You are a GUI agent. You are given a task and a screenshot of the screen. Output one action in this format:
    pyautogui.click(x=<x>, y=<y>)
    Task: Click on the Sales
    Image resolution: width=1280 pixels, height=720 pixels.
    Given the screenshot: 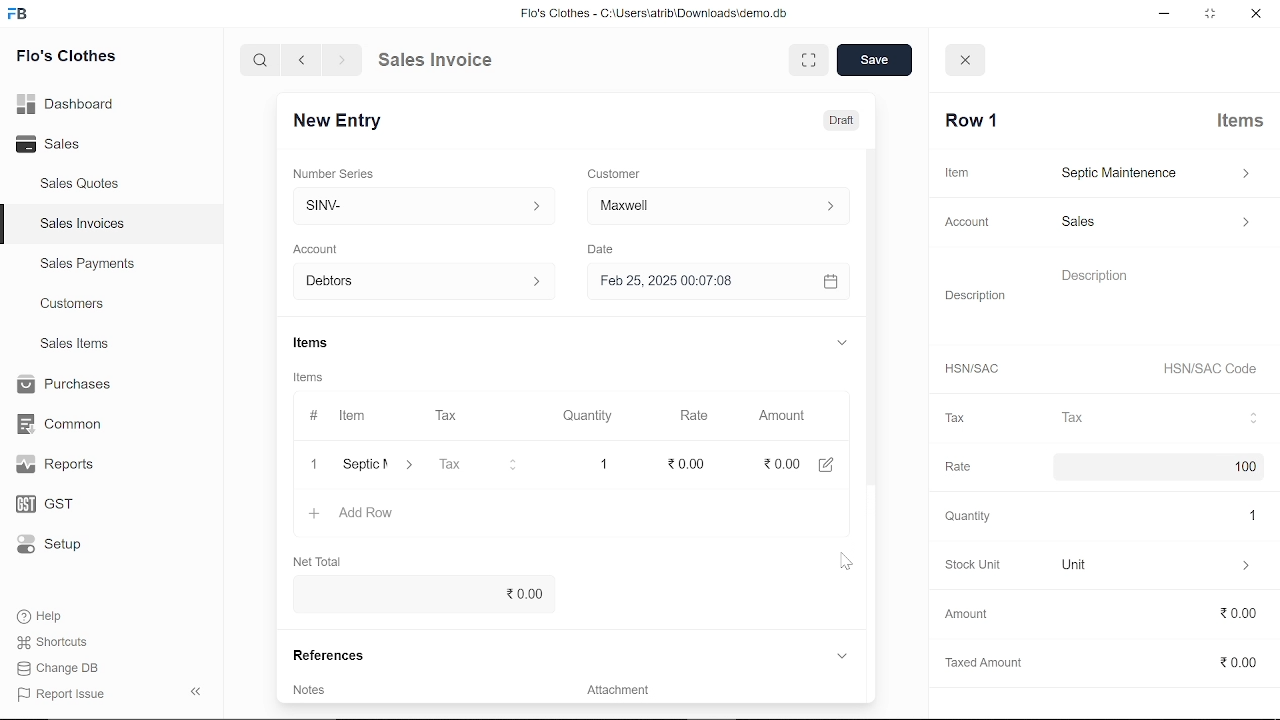 What is the action you would take?
    pyautogui.click(x=57, y=142)
    